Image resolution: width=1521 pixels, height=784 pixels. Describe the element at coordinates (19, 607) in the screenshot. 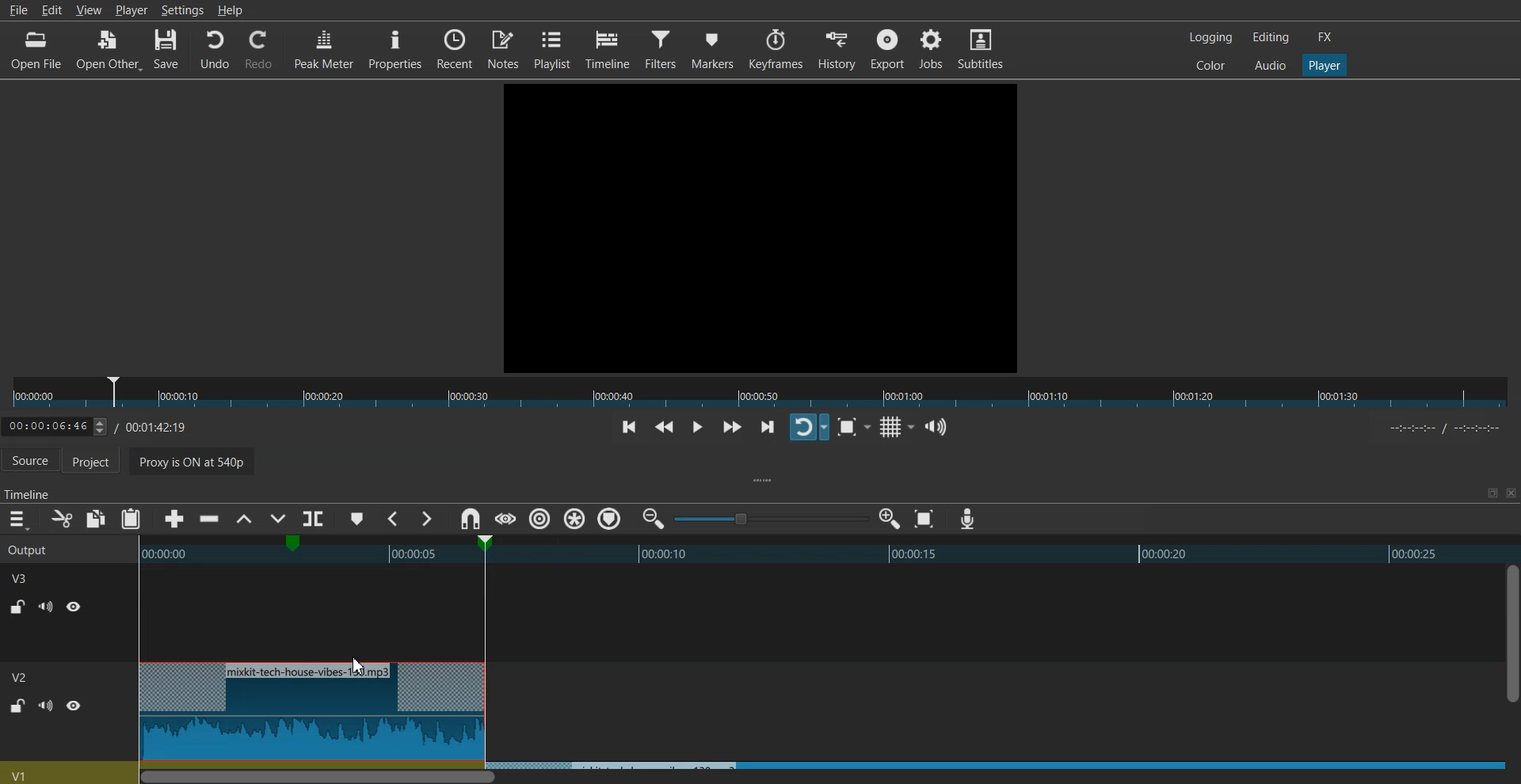

I see `Lock / UnLock` at that location.